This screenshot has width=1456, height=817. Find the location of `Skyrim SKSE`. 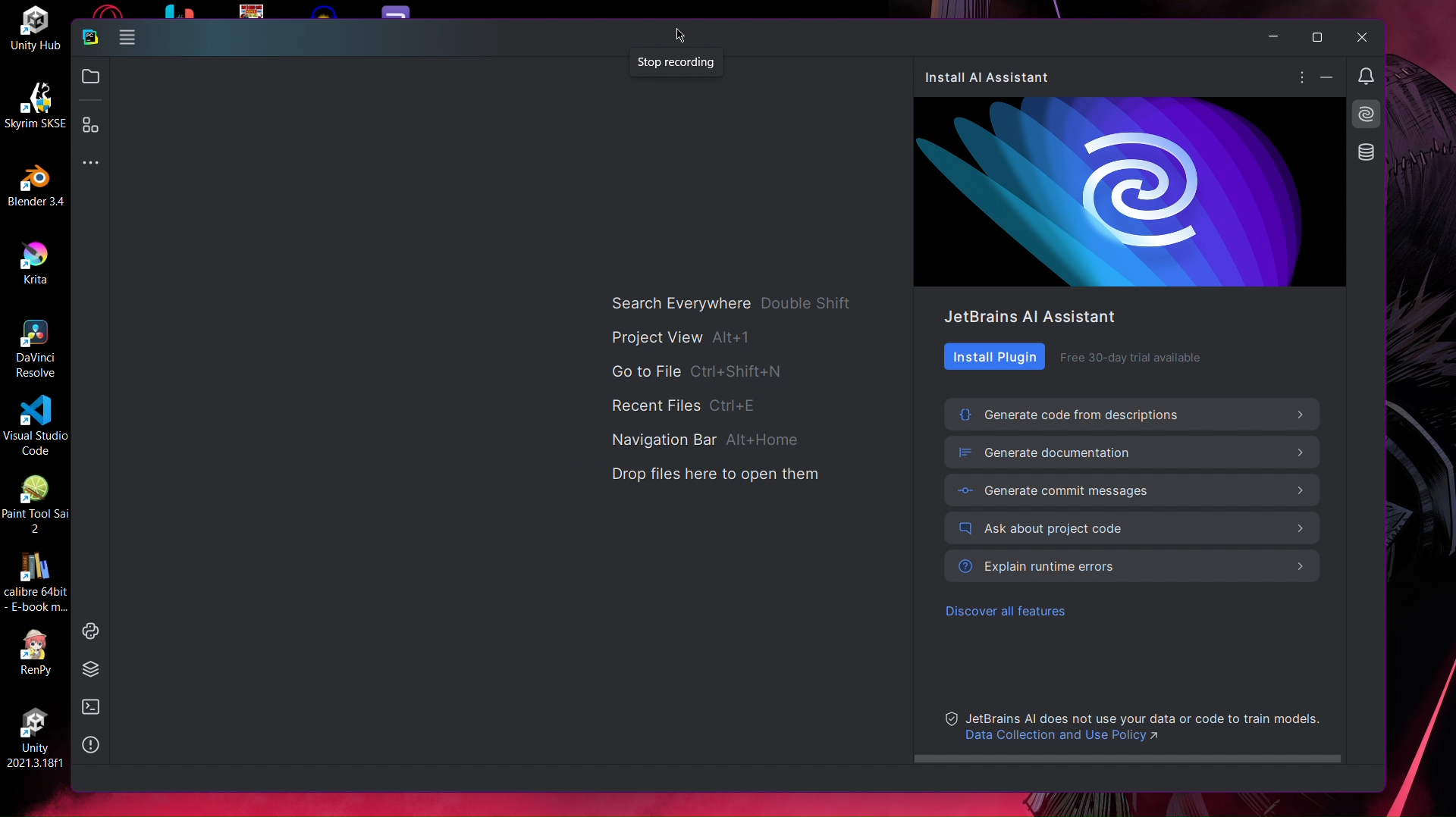

Skyrim SKSE is located at coordinates (33, 104).